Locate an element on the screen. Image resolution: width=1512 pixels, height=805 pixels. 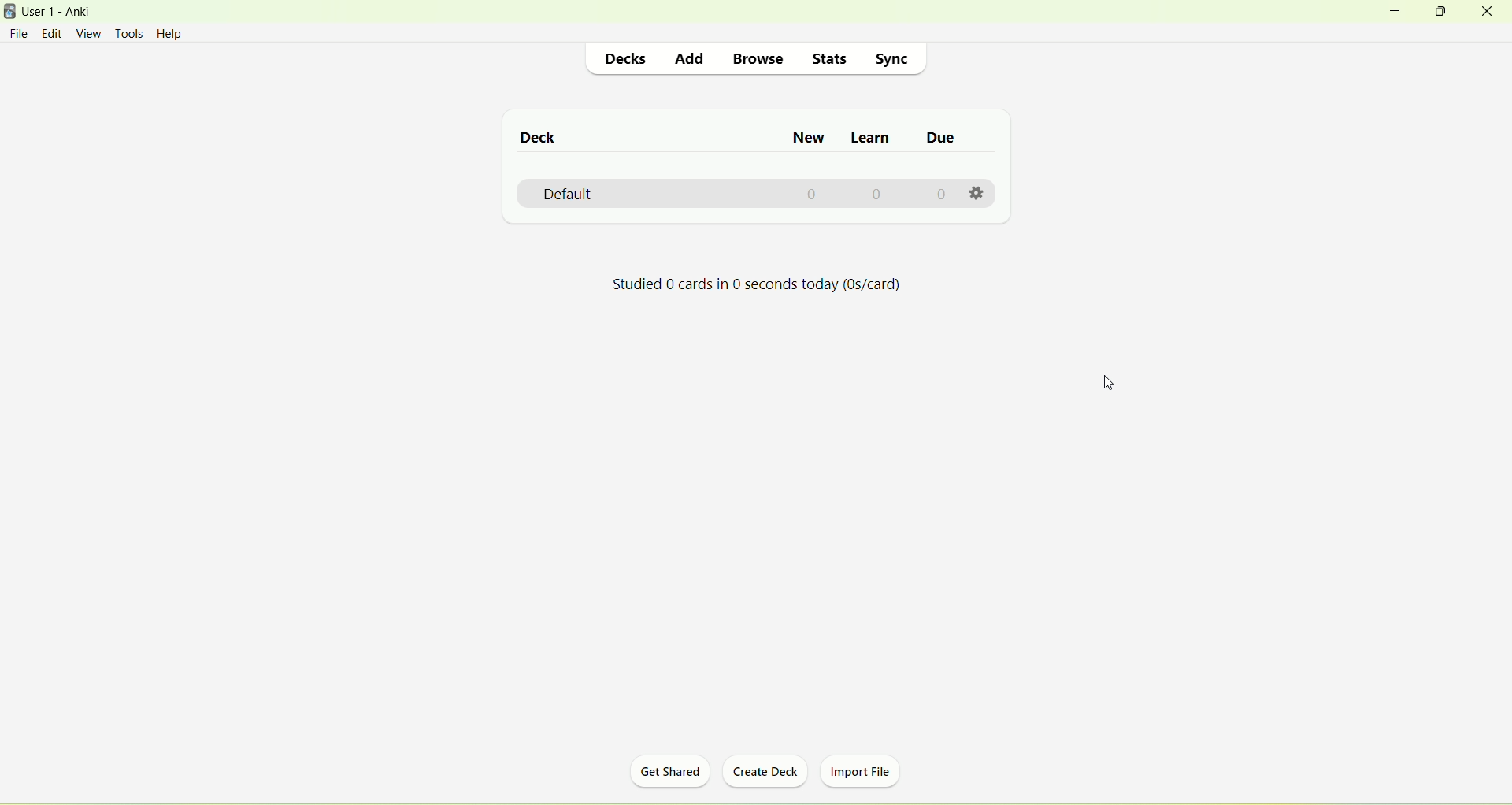
Studied 0 cards in 0 seconds today (0s/card) is located at coordinates (783, 286).